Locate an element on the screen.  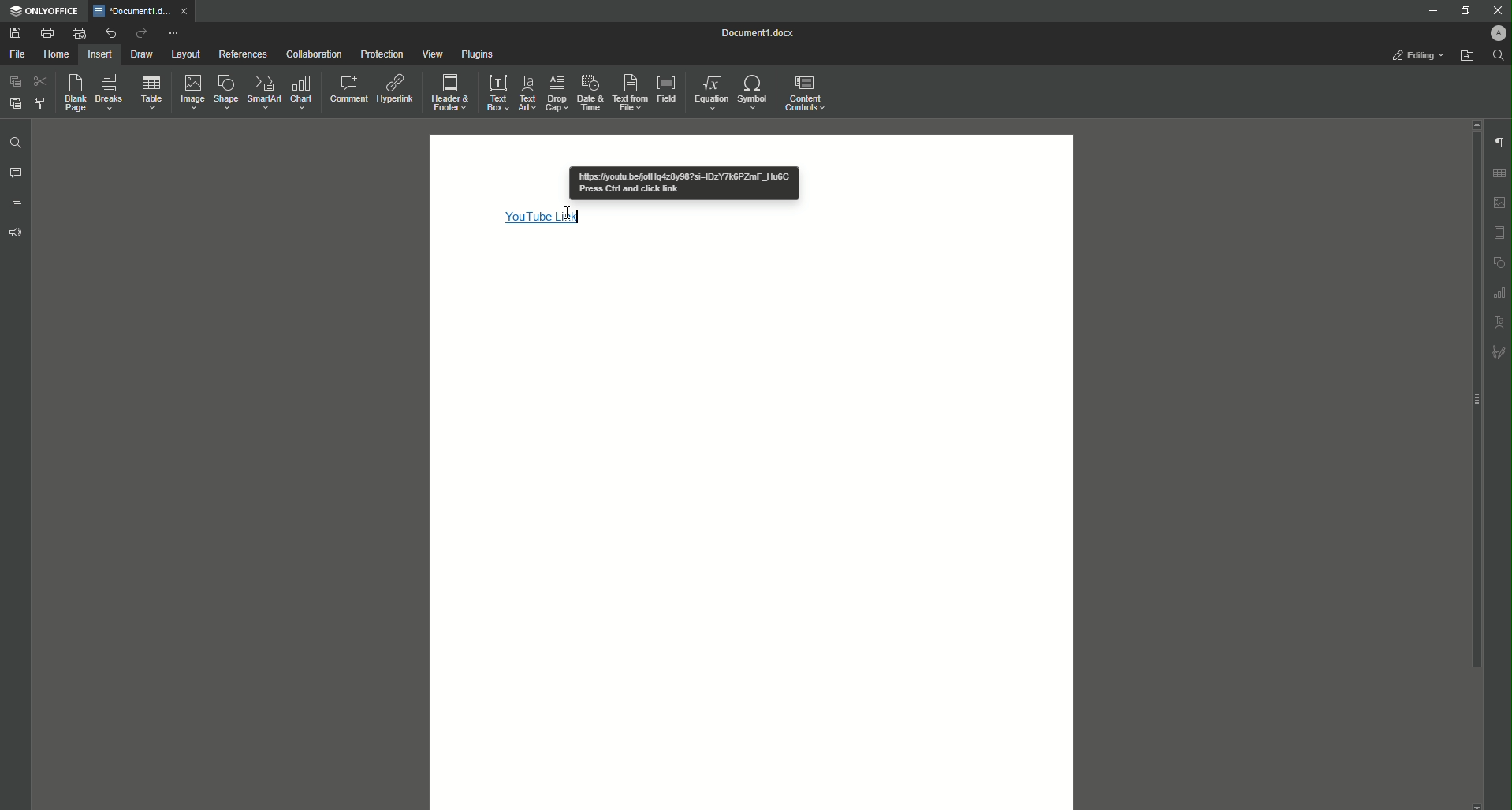
Restore is located at coordinates (1463, 12).